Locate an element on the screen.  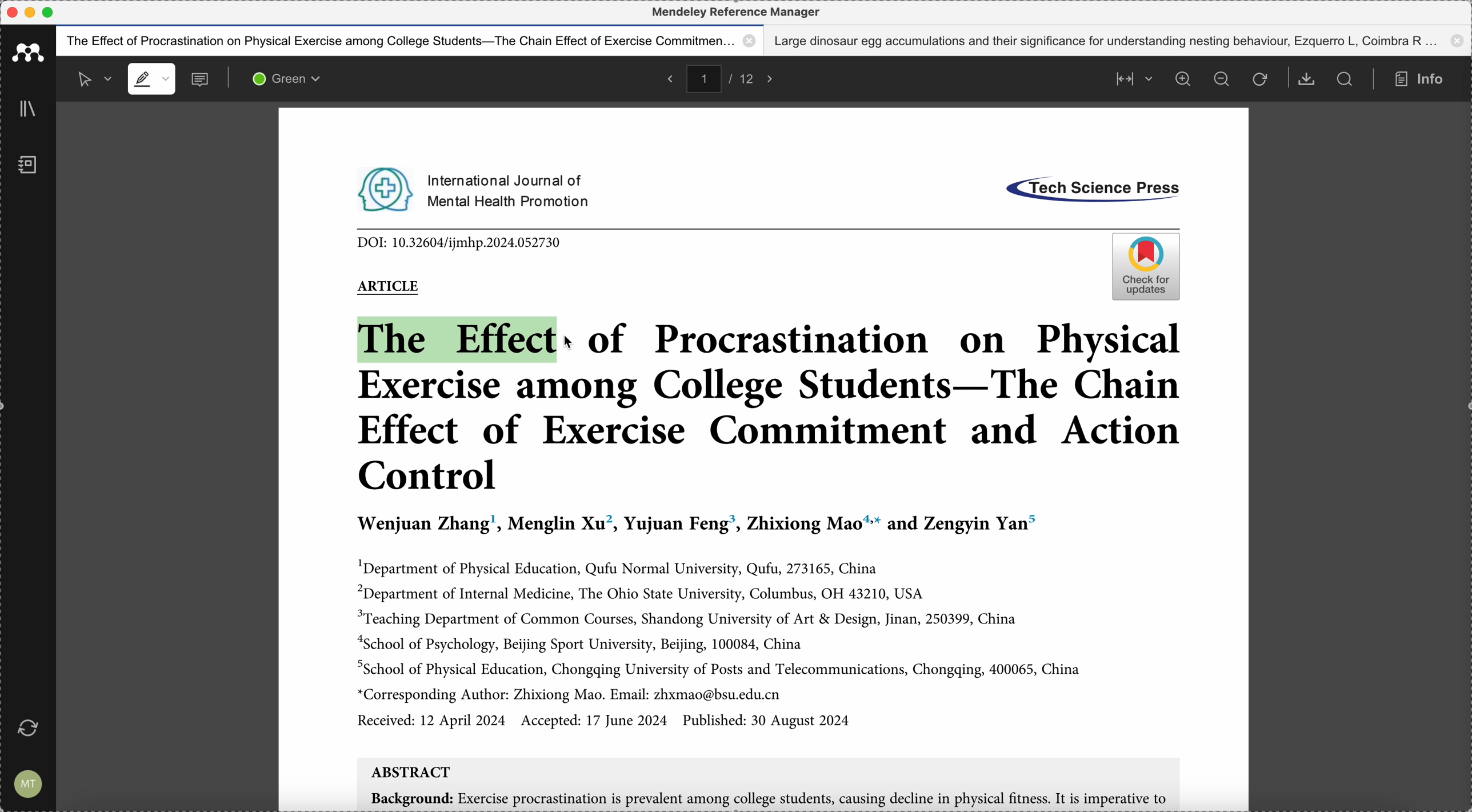
cursor is located at coordinates (566, 341).